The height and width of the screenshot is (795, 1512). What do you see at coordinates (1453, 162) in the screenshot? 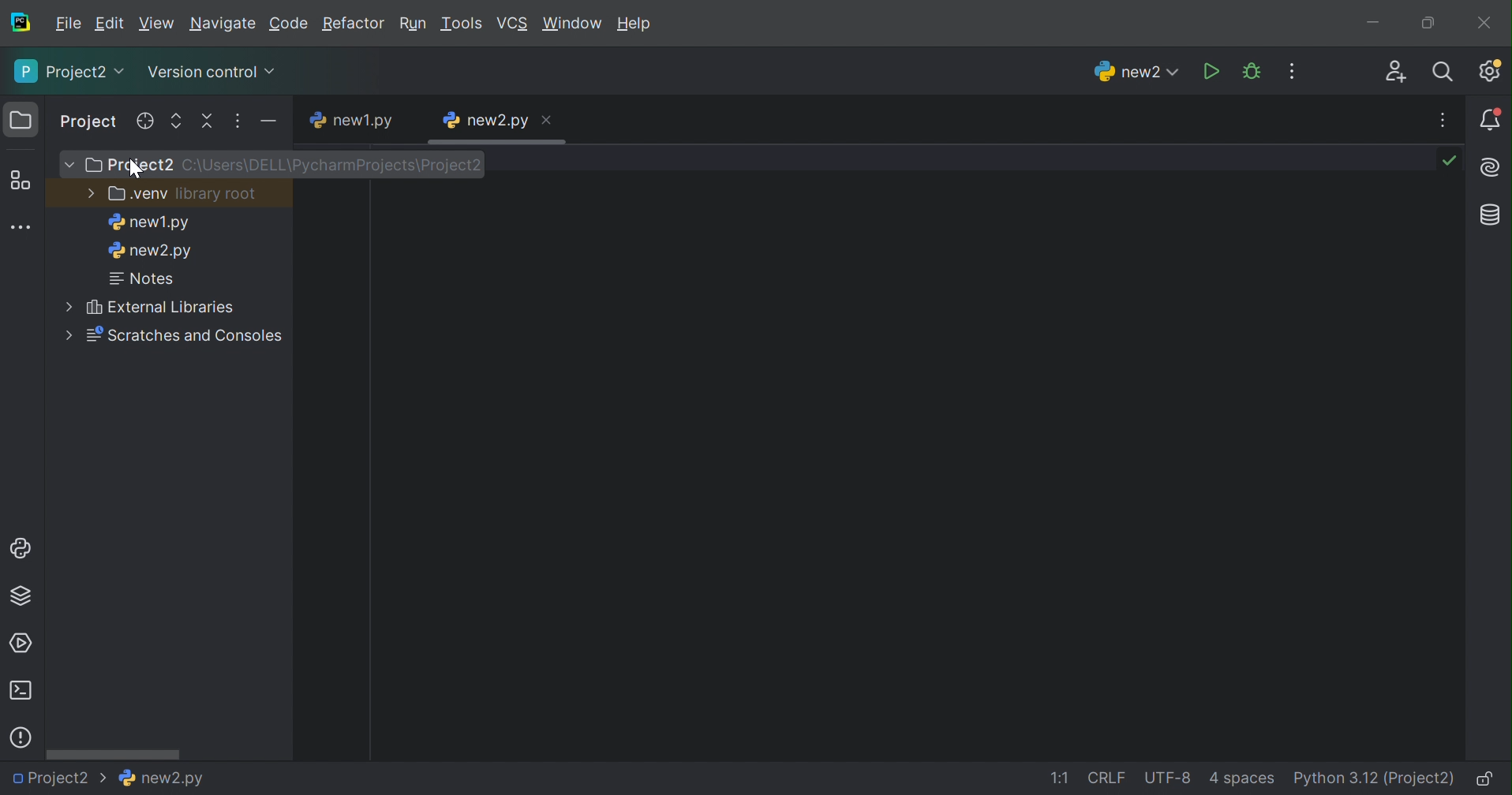
I see `No problems found` at bounding box center [1453, 162].